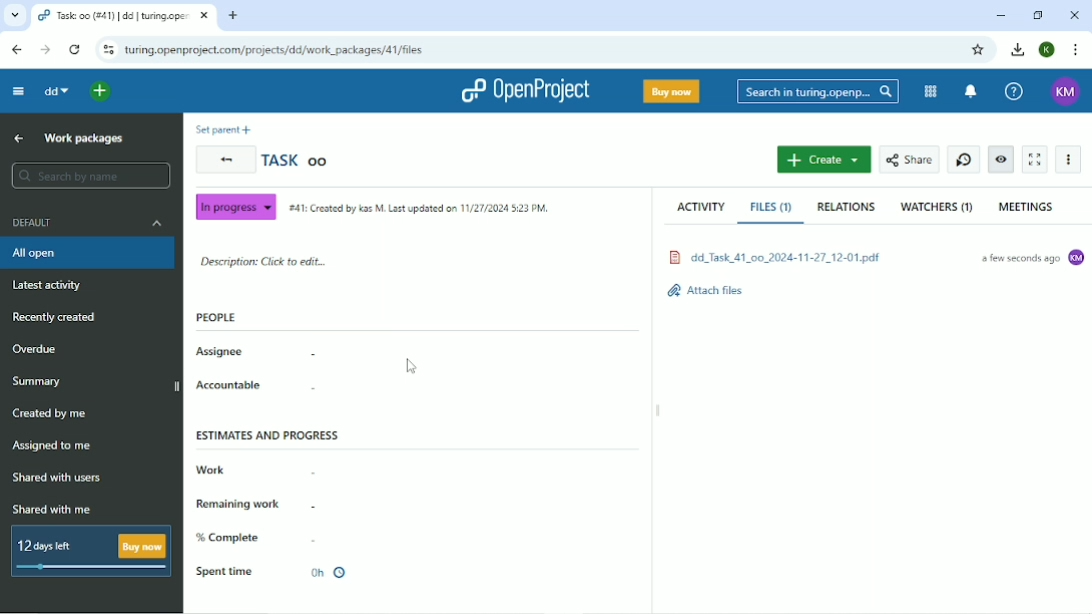 The image size is (1092, 614). I want to click on Search, so click(817, 90).